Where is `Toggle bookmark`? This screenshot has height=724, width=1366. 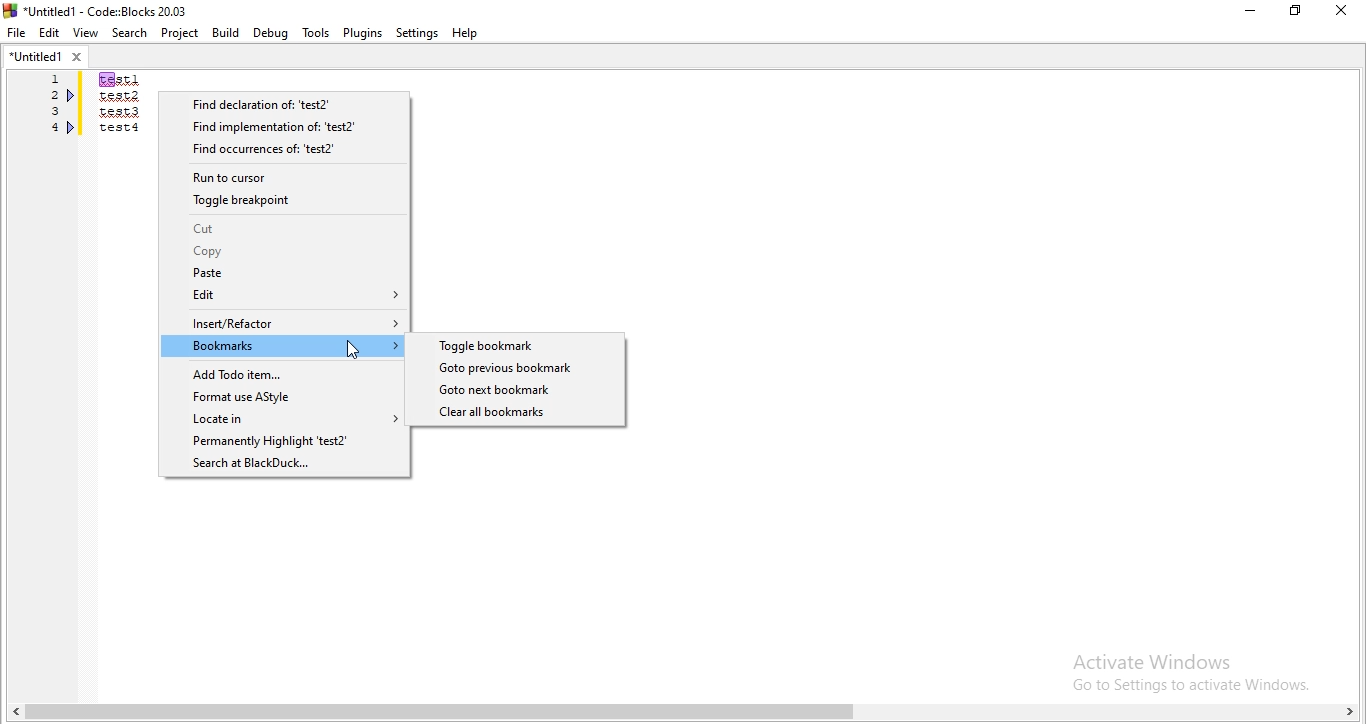 Toggle bookmark is located at coordinates (517, 346).